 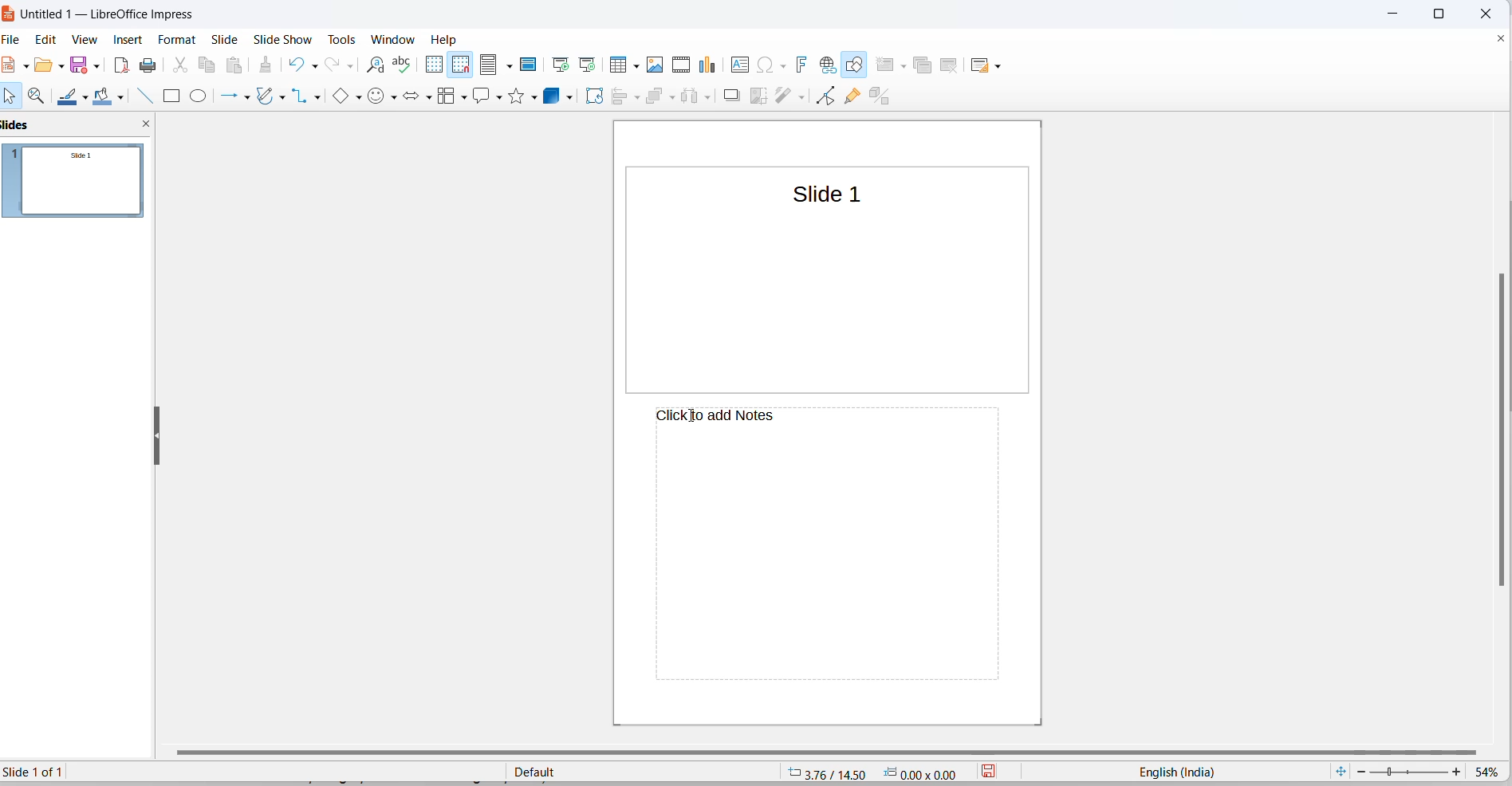 What do you see at coordinates (885, 98) in the screenshot?
I see `toggle extrusion` at bounding box center [885, 98].